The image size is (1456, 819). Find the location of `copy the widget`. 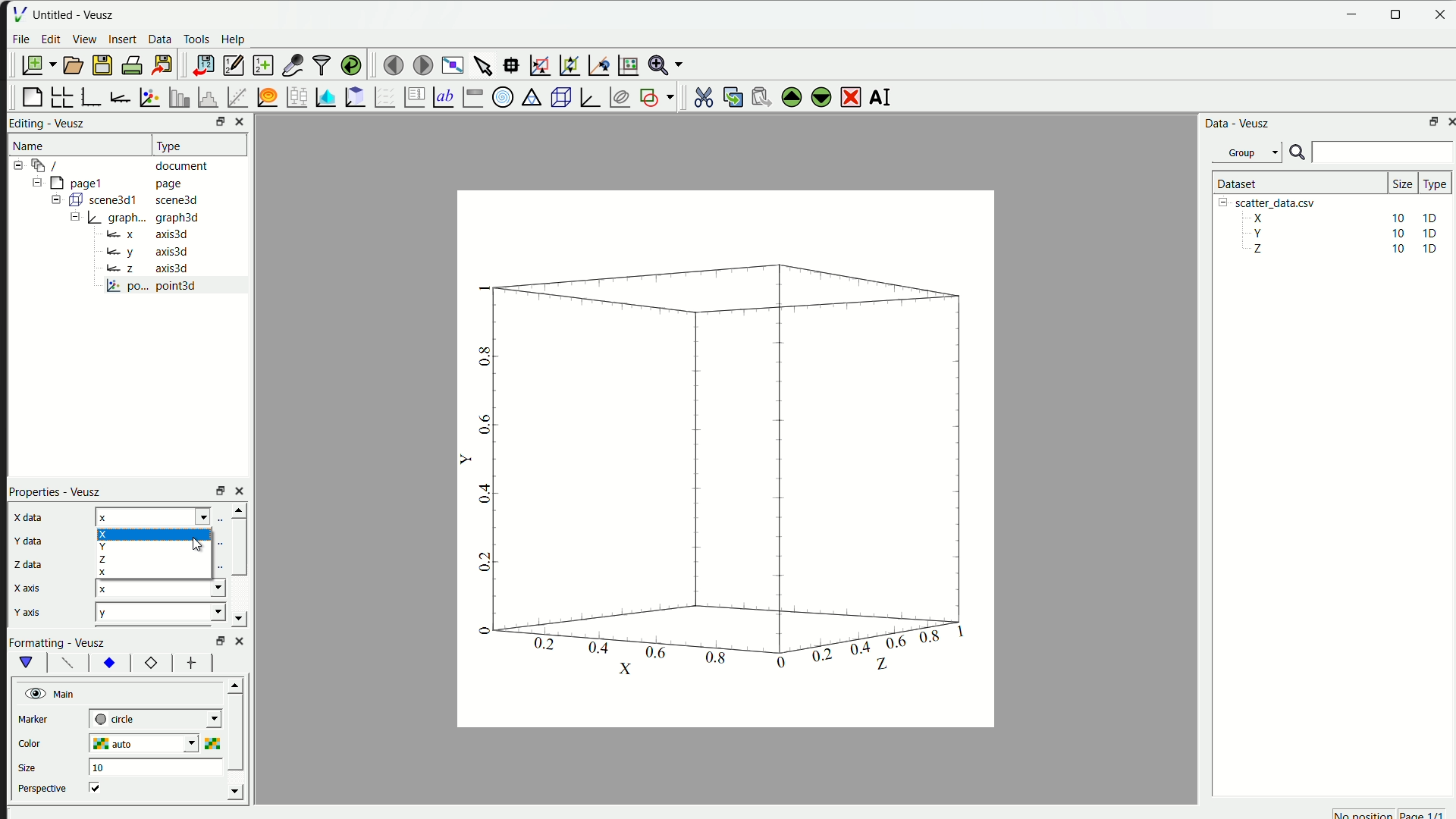

copy the widget is located at coordinates (730, 97).